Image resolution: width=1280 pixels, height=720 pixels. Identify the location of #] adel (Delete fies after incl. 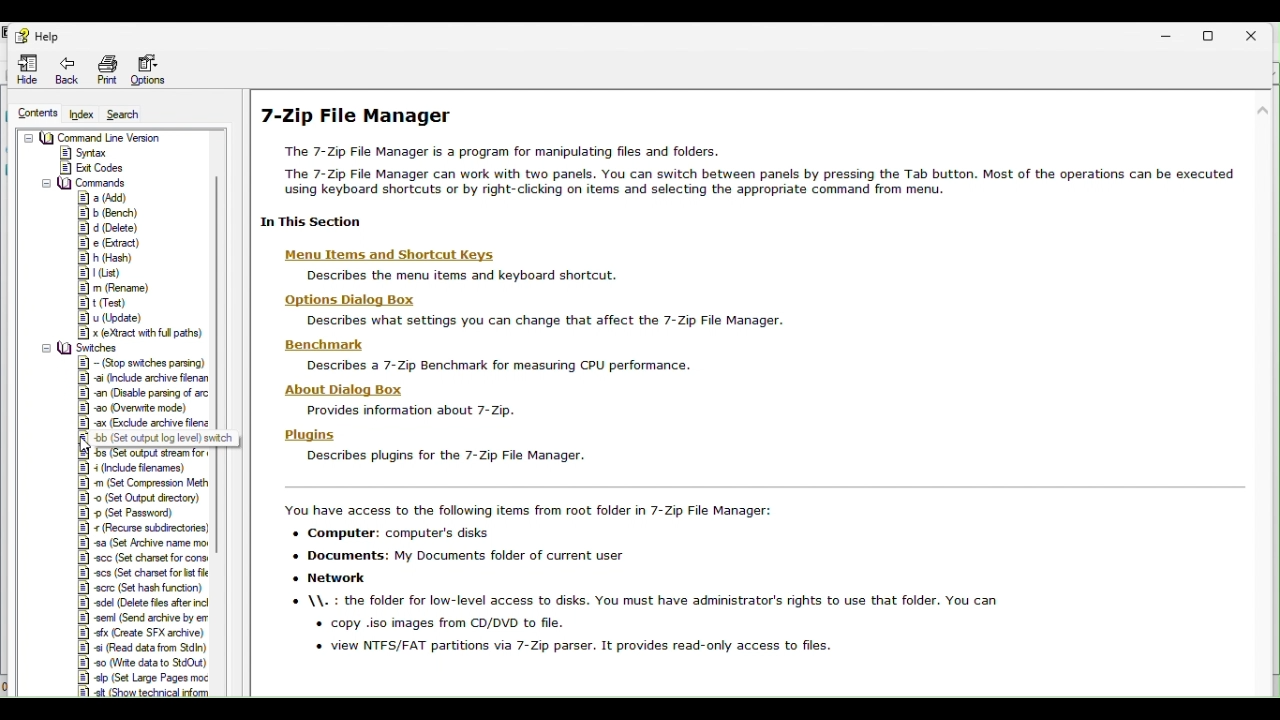
(147, 603).